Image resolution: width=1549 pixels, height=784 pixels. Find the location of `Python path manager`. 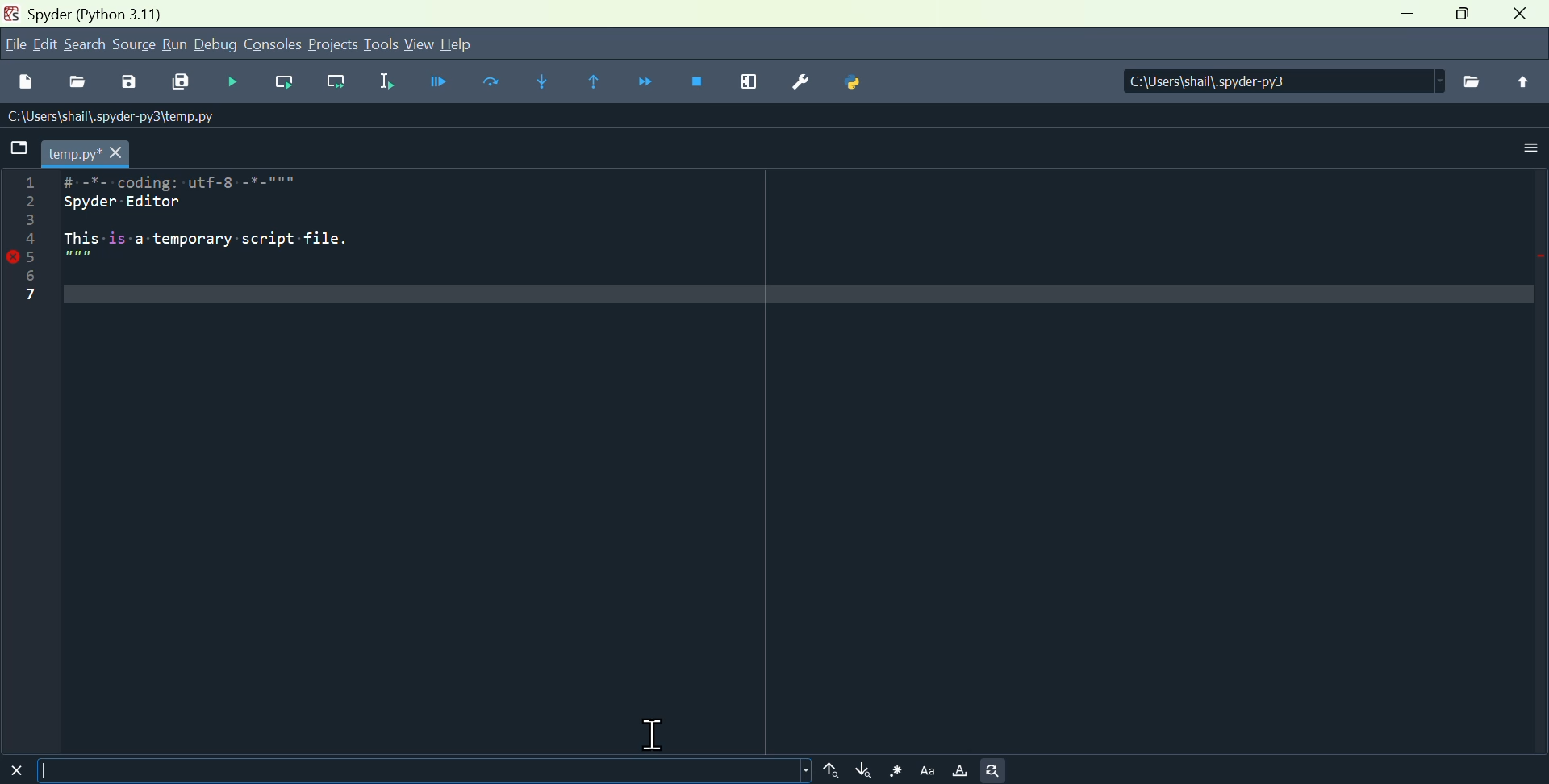

Python path manager is located at coordinates (852, 83).